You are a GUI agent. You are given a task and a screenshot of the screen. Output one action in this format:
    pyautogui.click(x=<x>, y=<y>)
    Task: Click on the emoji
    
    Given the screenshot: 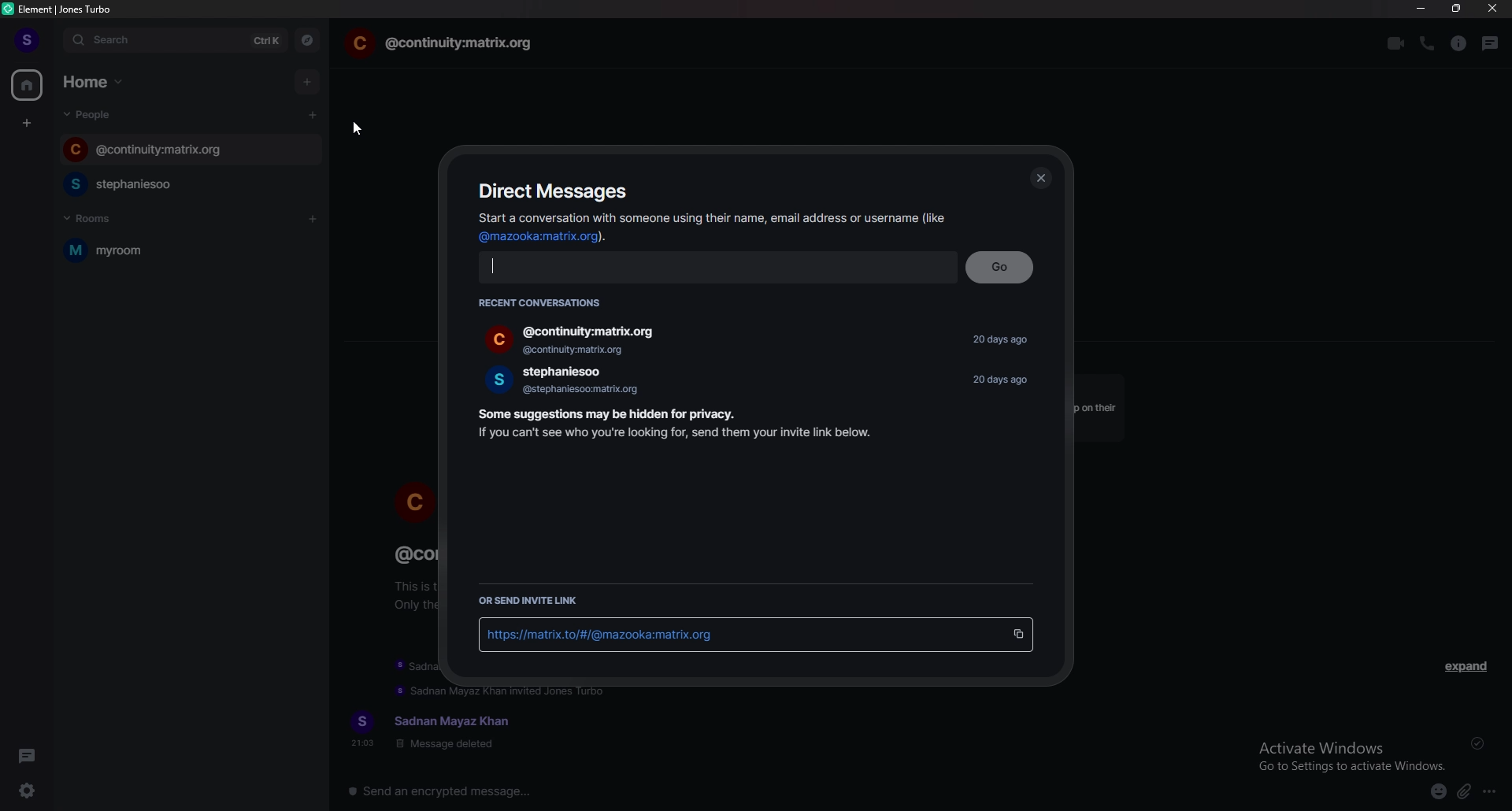 What is the action you would take?
    pyautogui.click(x=1439, y=793)
    